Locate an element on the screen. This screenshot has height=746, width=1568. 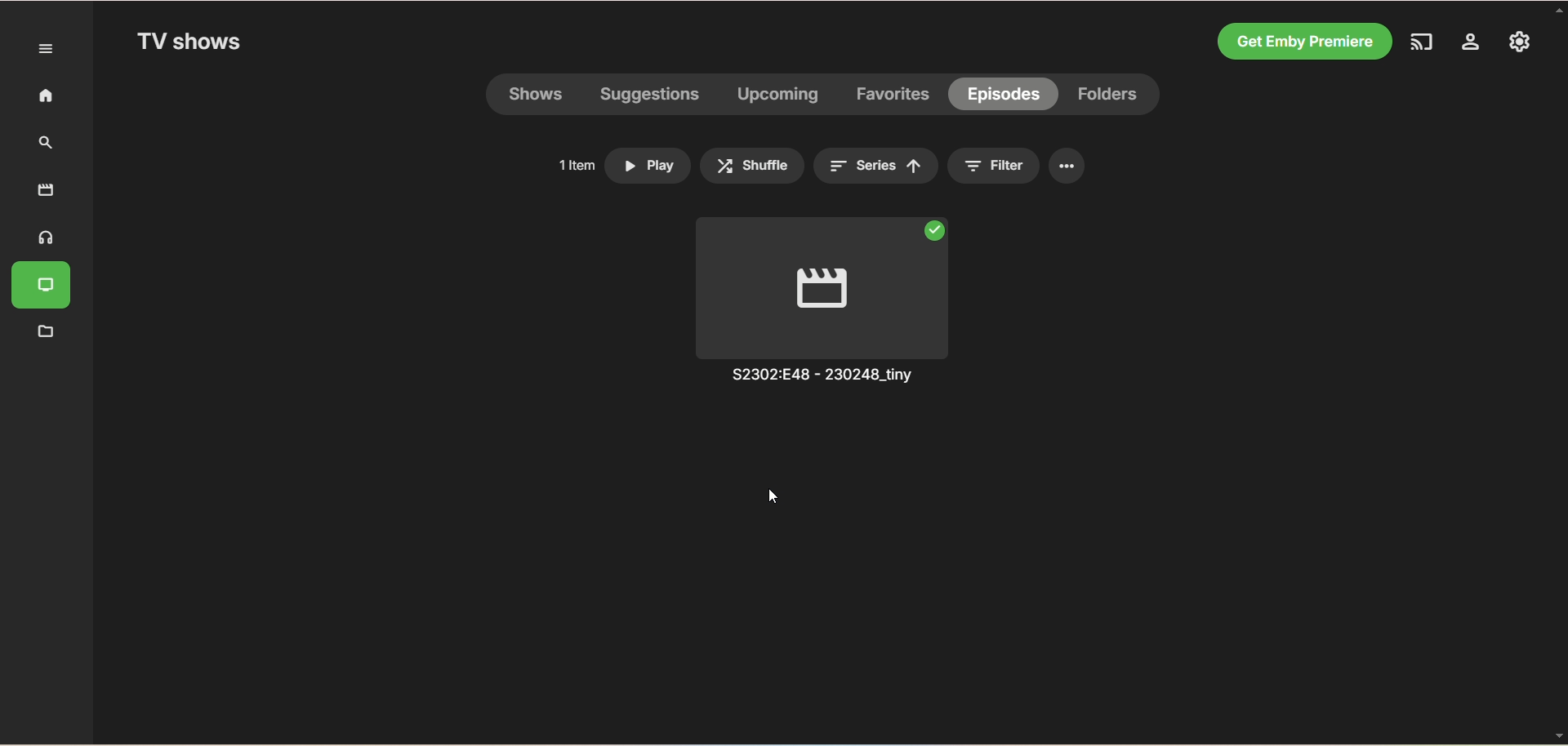
search is located at coordinates (41, 144).